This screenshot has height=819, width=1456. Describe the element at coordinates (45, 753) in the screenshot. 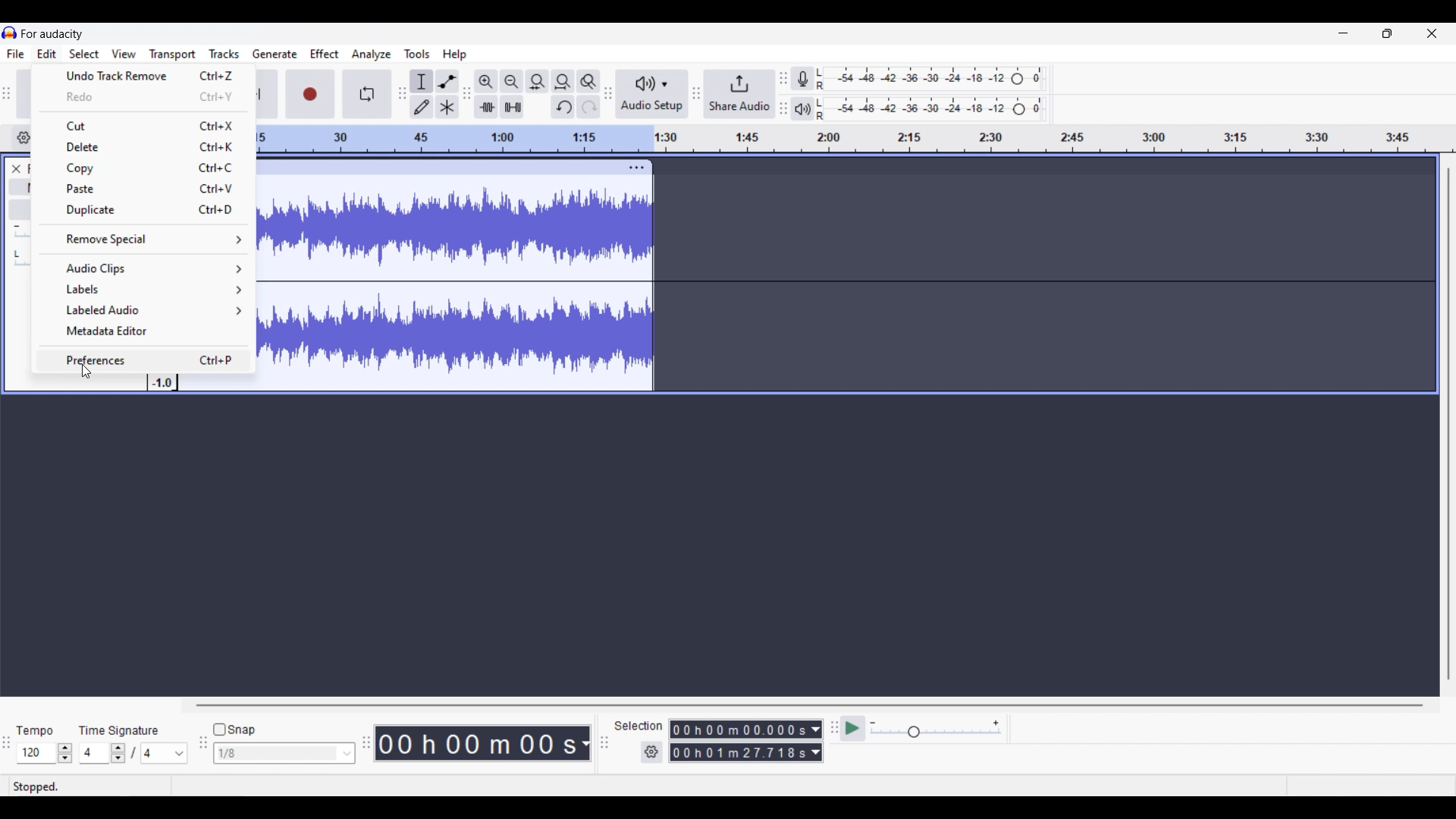

I see `Tempo settings` at that location.